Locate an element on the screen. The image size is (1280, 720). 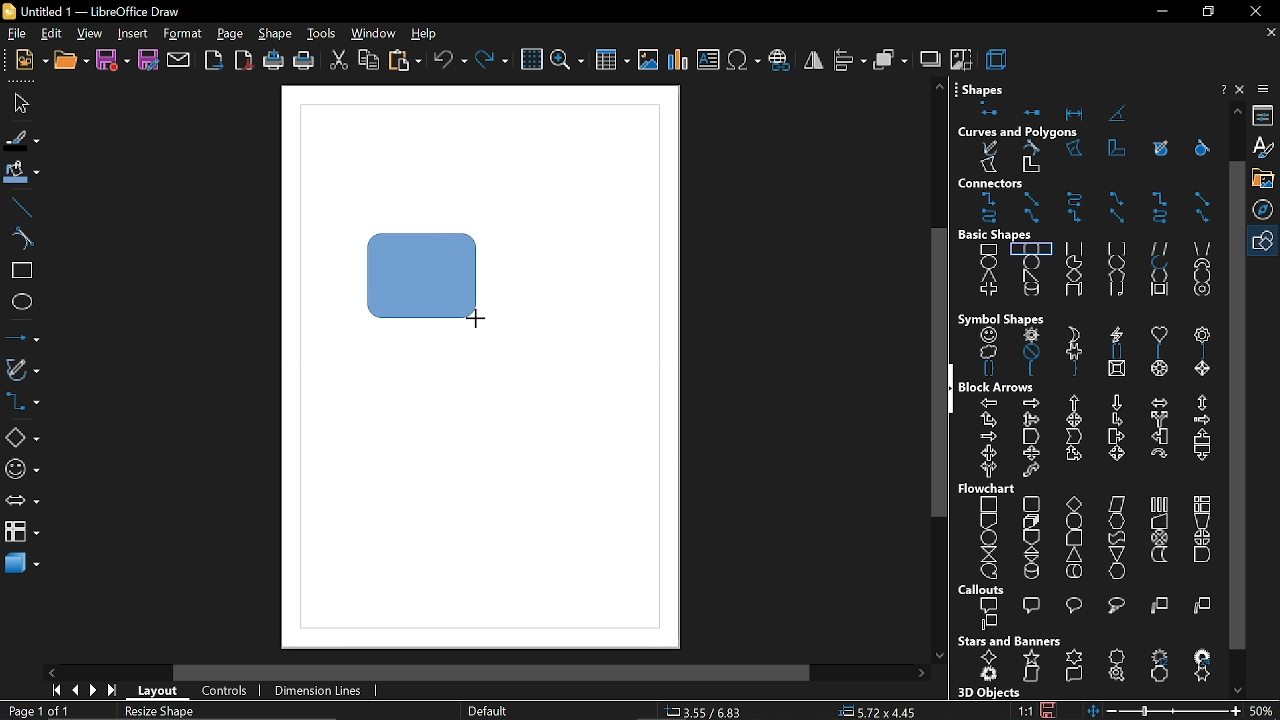
flowchart is located at coordinates (1086, 538).